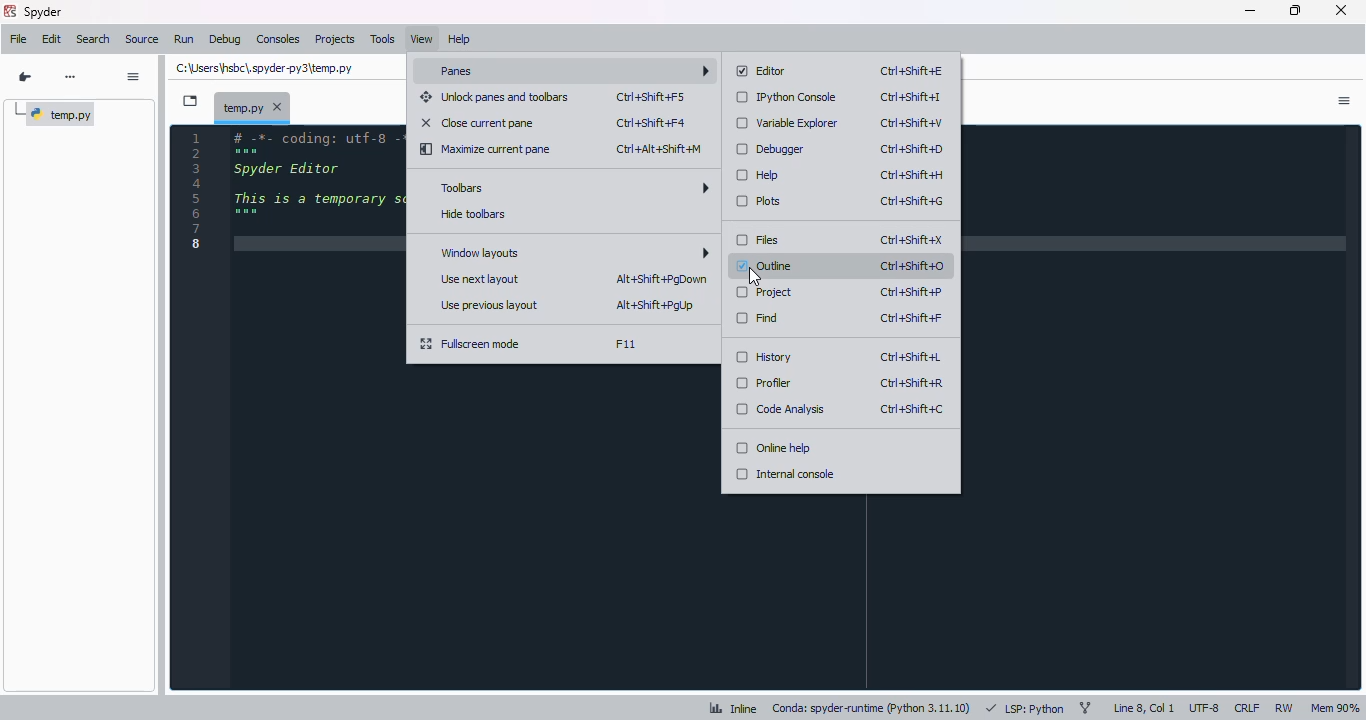 The width and height of the screenshot is (1366, 720). What do you see at coordinates (573, 186) in the screenshot?
I see `toolbars` at bounding box center [573, 186].